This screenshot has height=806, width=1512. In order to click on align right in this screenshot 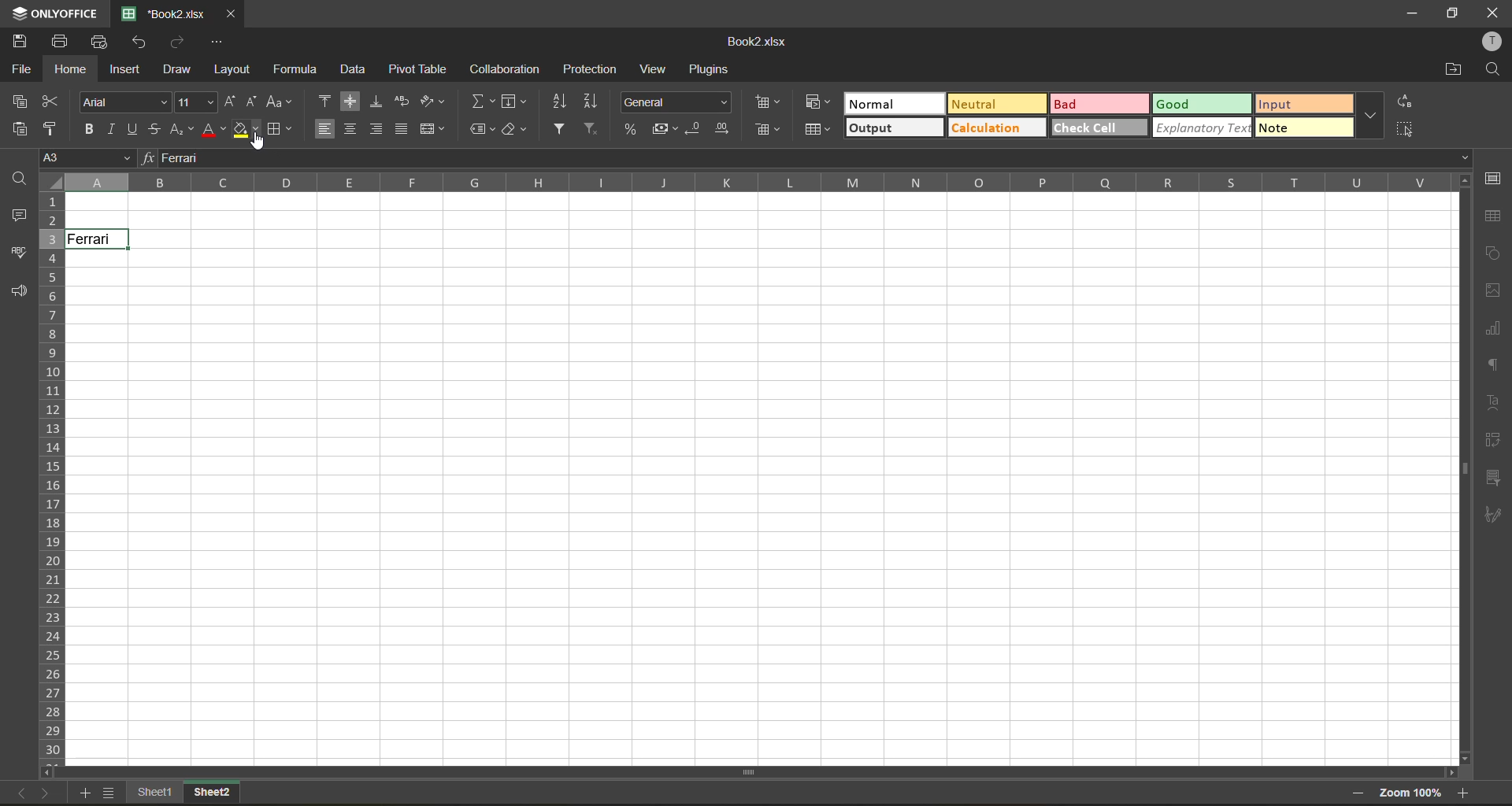, I will do `click(375, 128)`.